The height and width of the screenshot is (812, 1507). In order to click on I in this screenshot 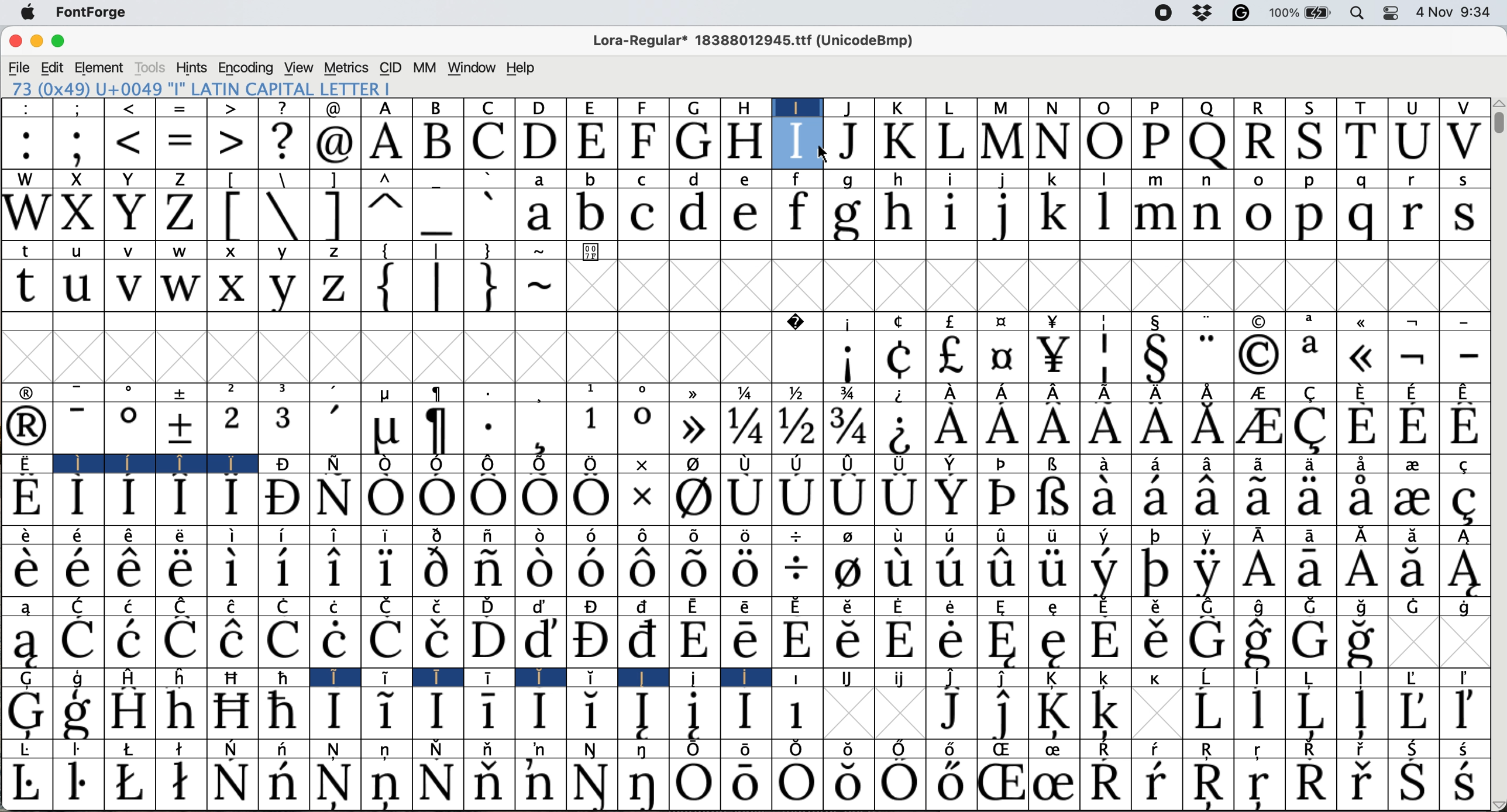, I will do `click(798, 142)`.